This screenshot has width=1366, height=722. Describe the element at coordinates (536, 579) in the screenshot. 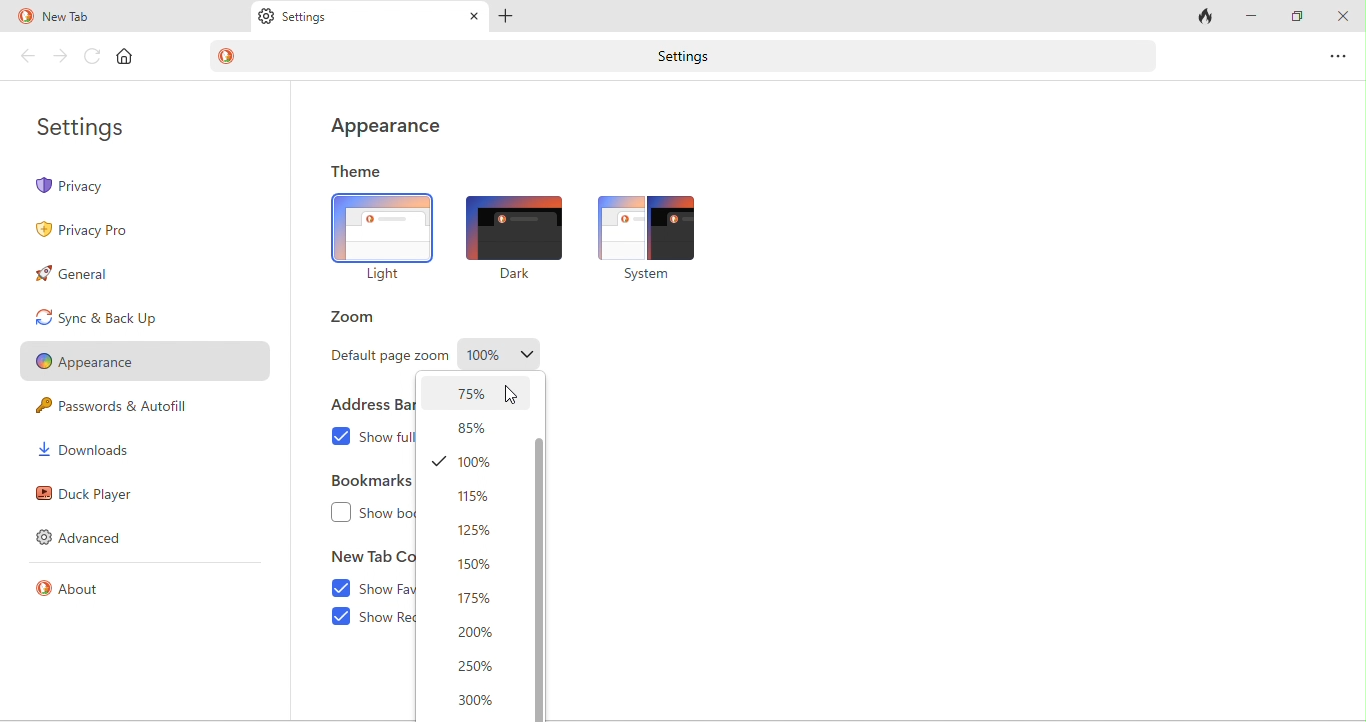

I see `vertical scroll bar` at that location.